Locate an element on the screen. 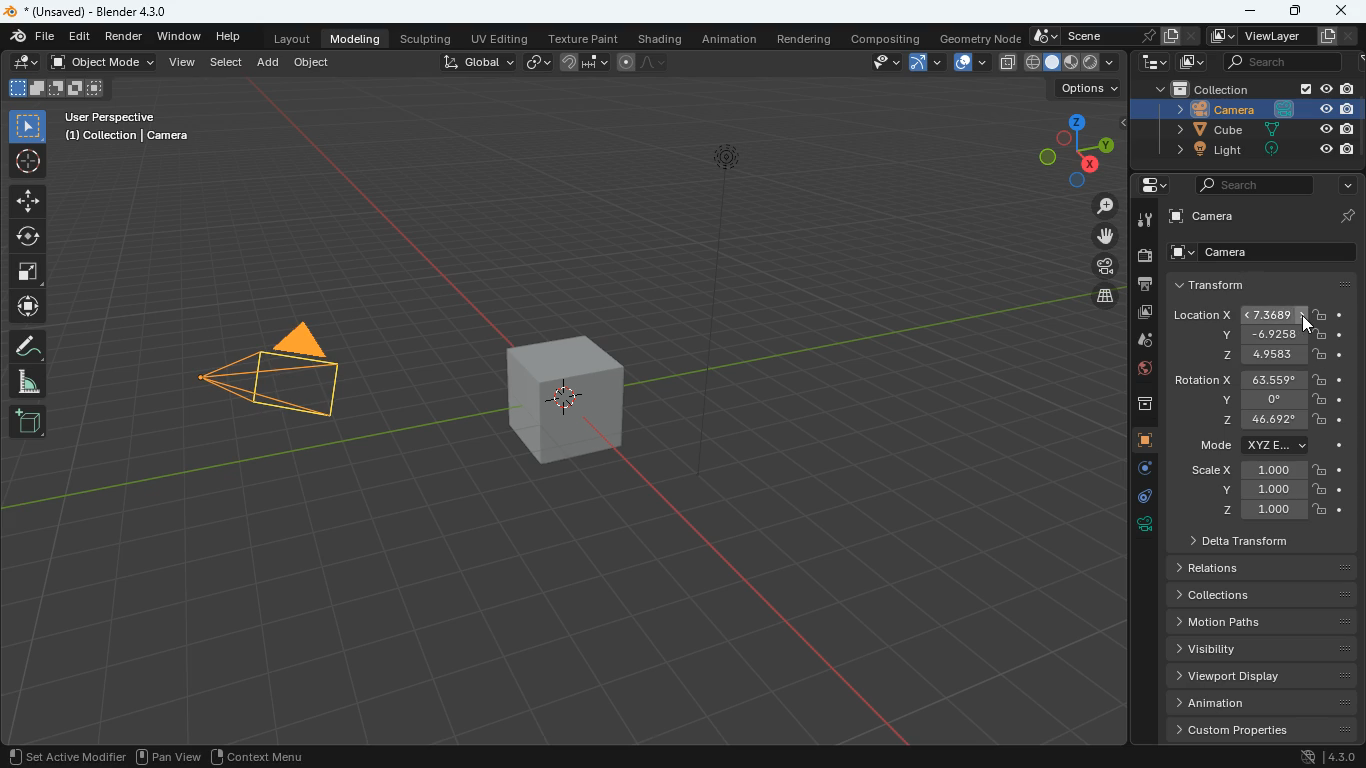  y is located at coordinates (1262, 335).